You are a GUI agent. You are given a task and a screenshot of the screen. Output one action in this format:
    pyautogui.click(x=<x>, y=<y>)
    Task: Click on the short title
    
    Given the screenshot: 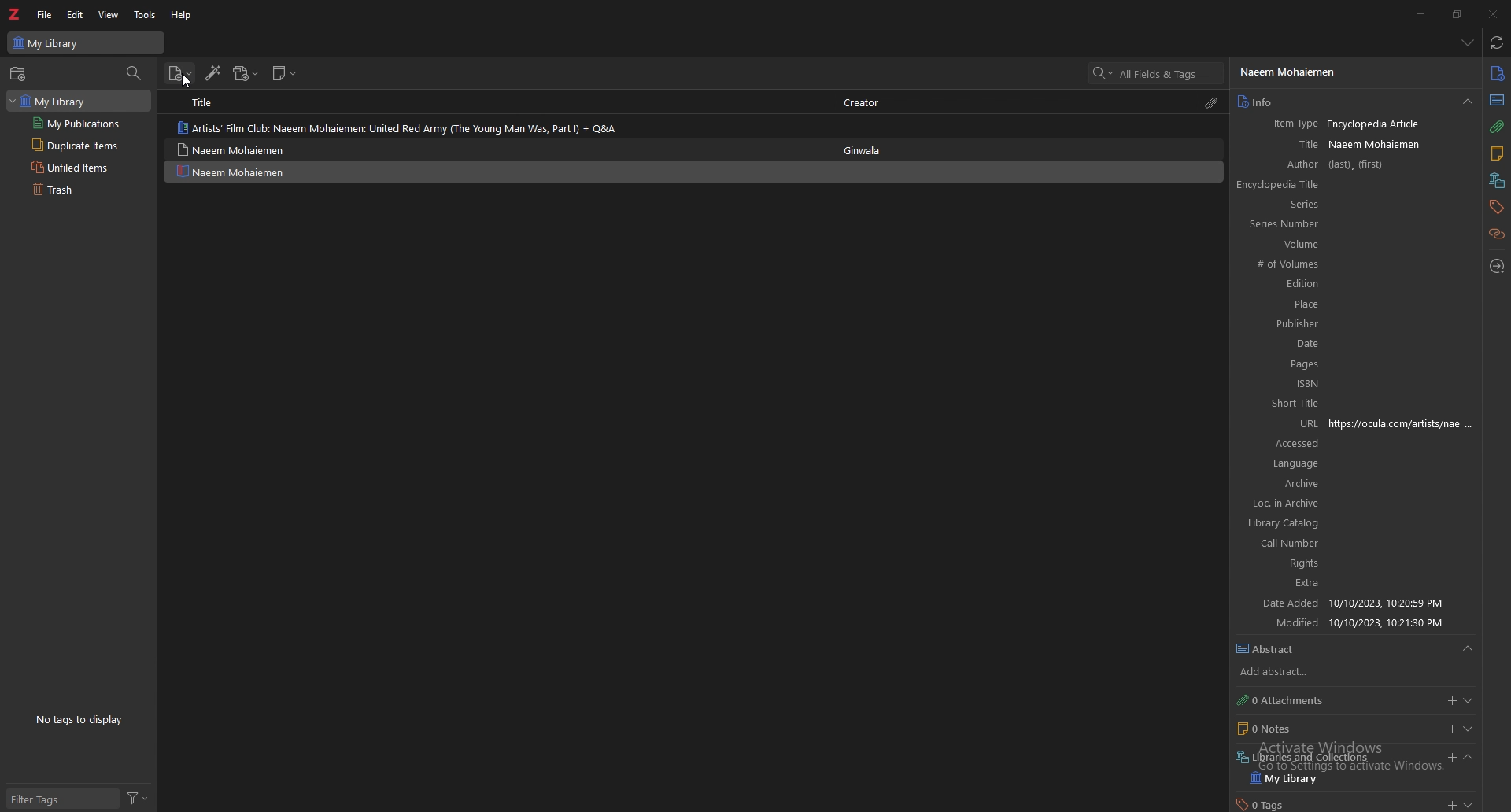 What is the action you would take?
    pyautogui.click(x=1280, y=404)
    